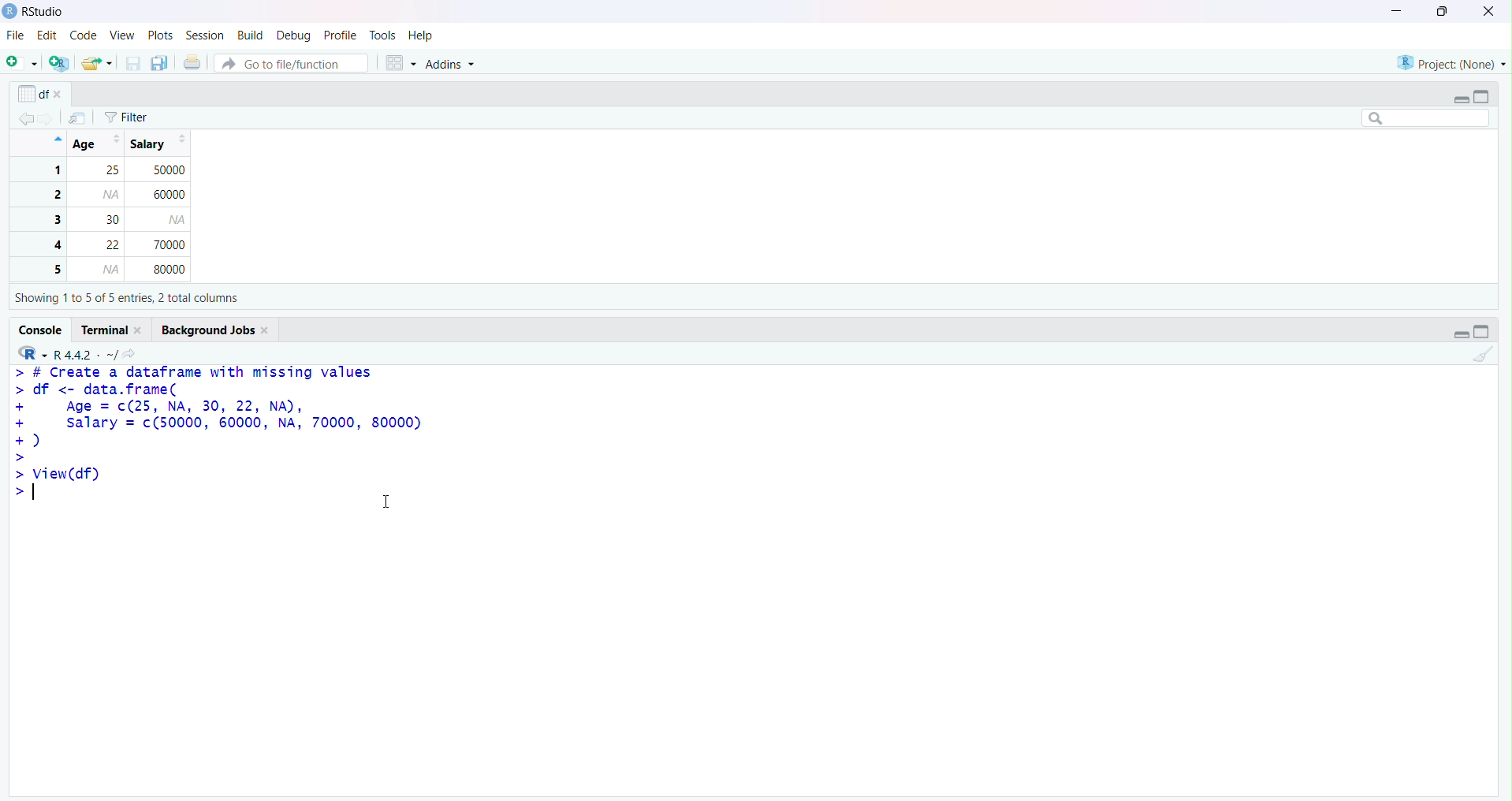 The width and height of the screenshot is (1512, 801). Describe the element at coordinates (132, 62) in the screenshot. I see `Save current document (Ctrl + S)` at that location.